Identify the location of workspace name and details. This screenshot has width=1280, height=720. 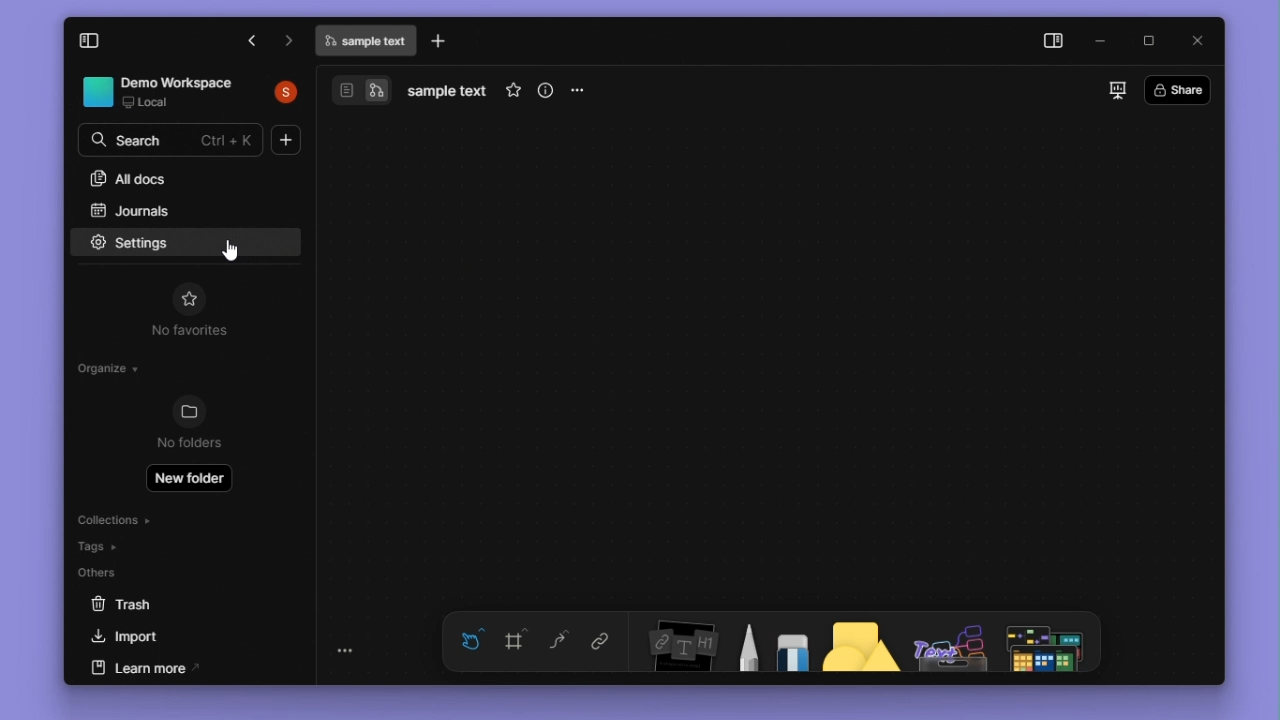
(161, 92).